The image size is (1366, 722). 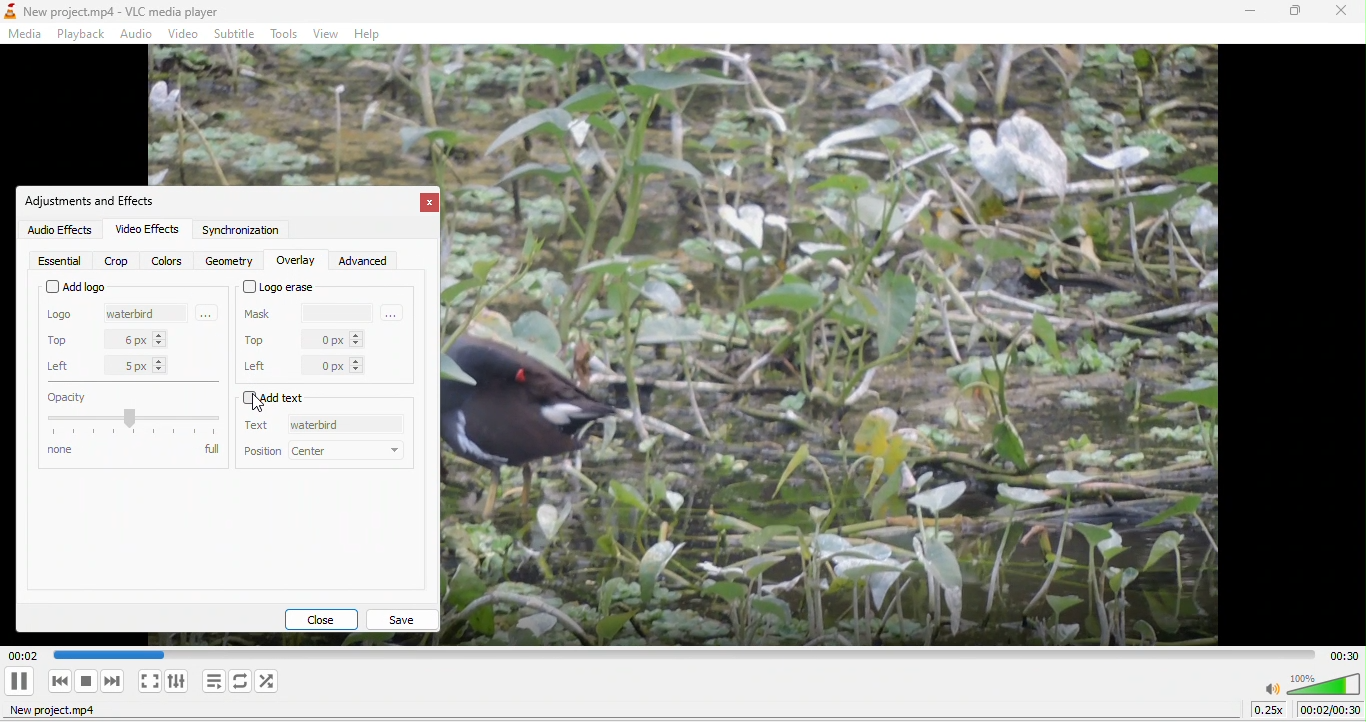 What do you see at coordinates (241, 232) in the screenshot?
I see `synchronization` at bounding box center [241, 232].